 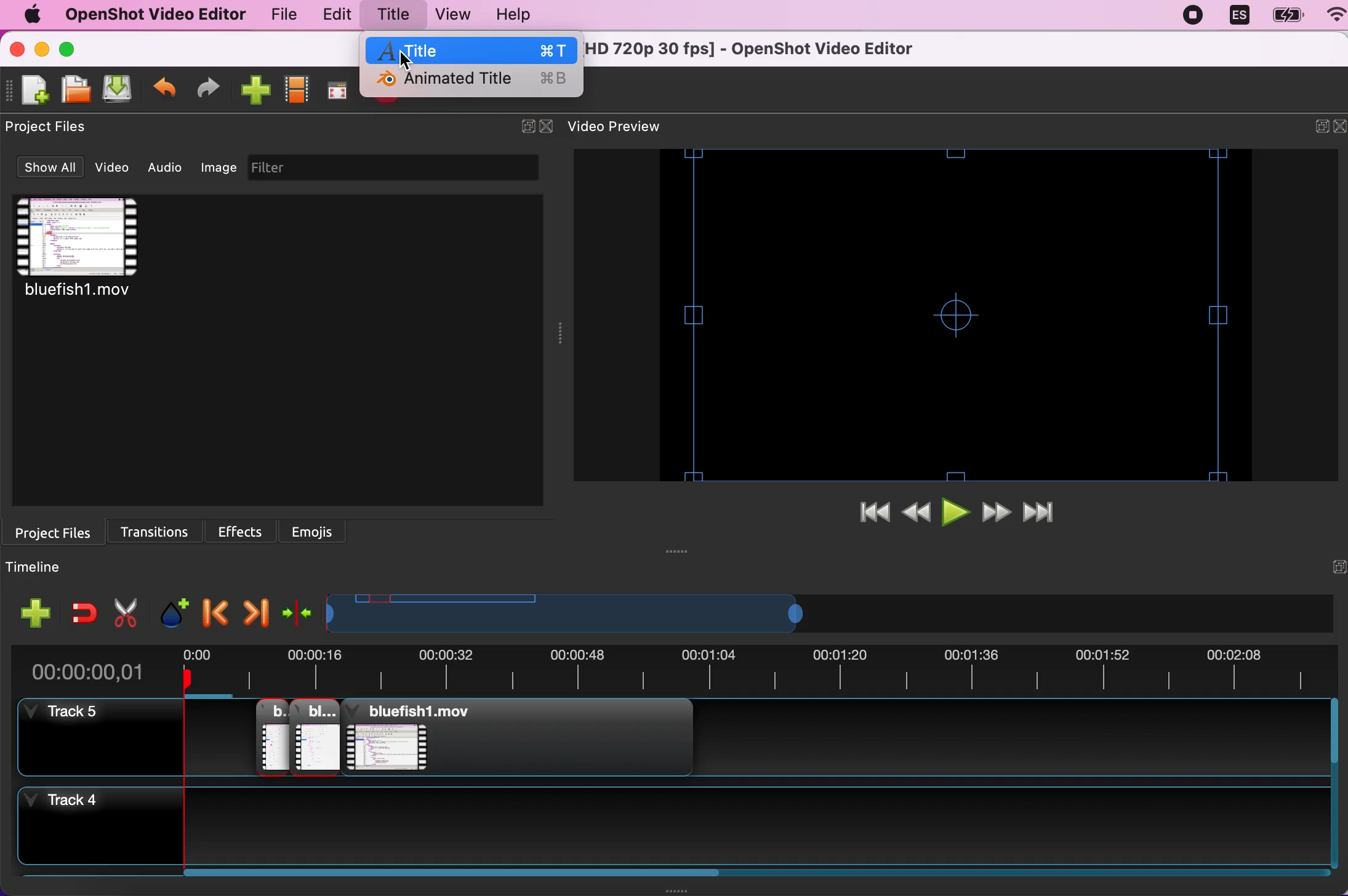 What do you see at coordinates (508, 17) in the screenshot?
I see `help` at bounding box center [508, 17].